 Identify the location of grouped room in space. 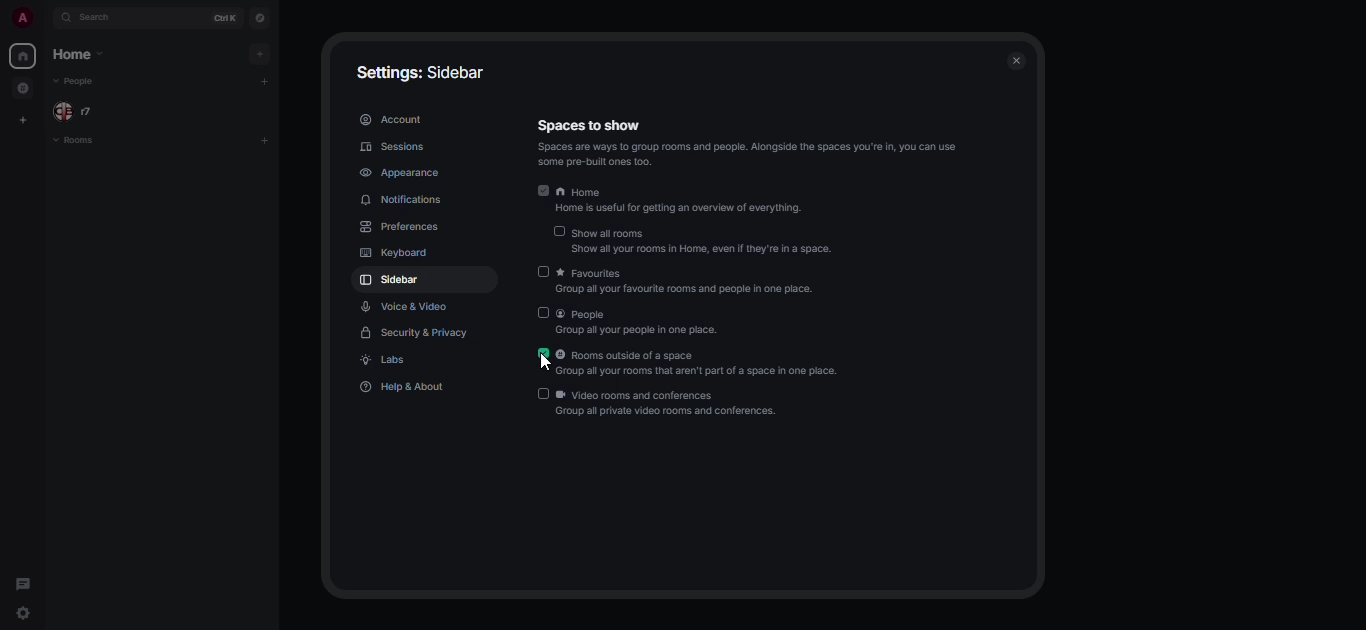
(23, 88).